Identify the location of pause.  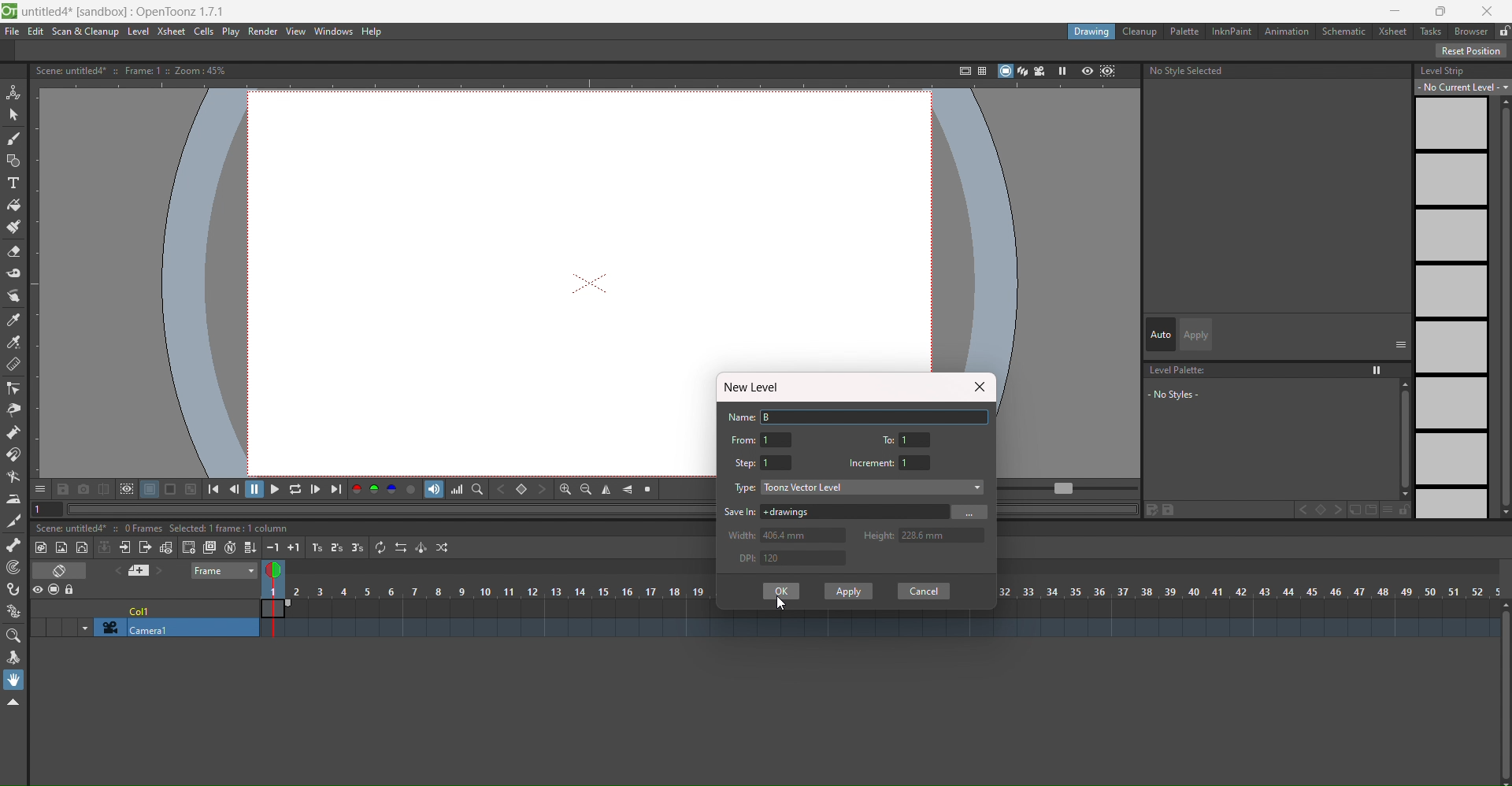
(255, 489).